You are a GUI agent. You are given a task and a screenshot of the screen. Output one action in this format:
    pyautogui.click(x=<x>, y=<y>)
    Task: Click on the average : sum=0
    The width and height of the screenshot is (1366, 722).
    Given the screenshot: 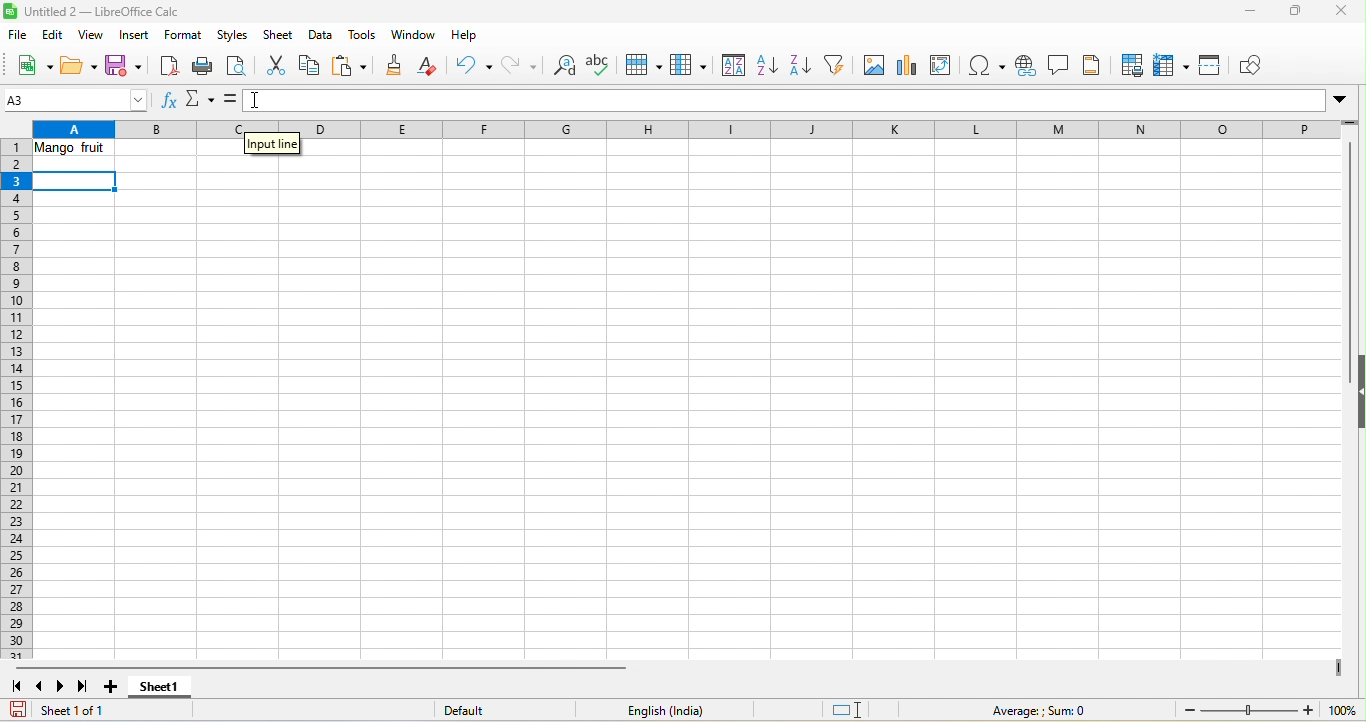 What is the action you would take?
    pyautogui.click(x=1045, y=711)
    